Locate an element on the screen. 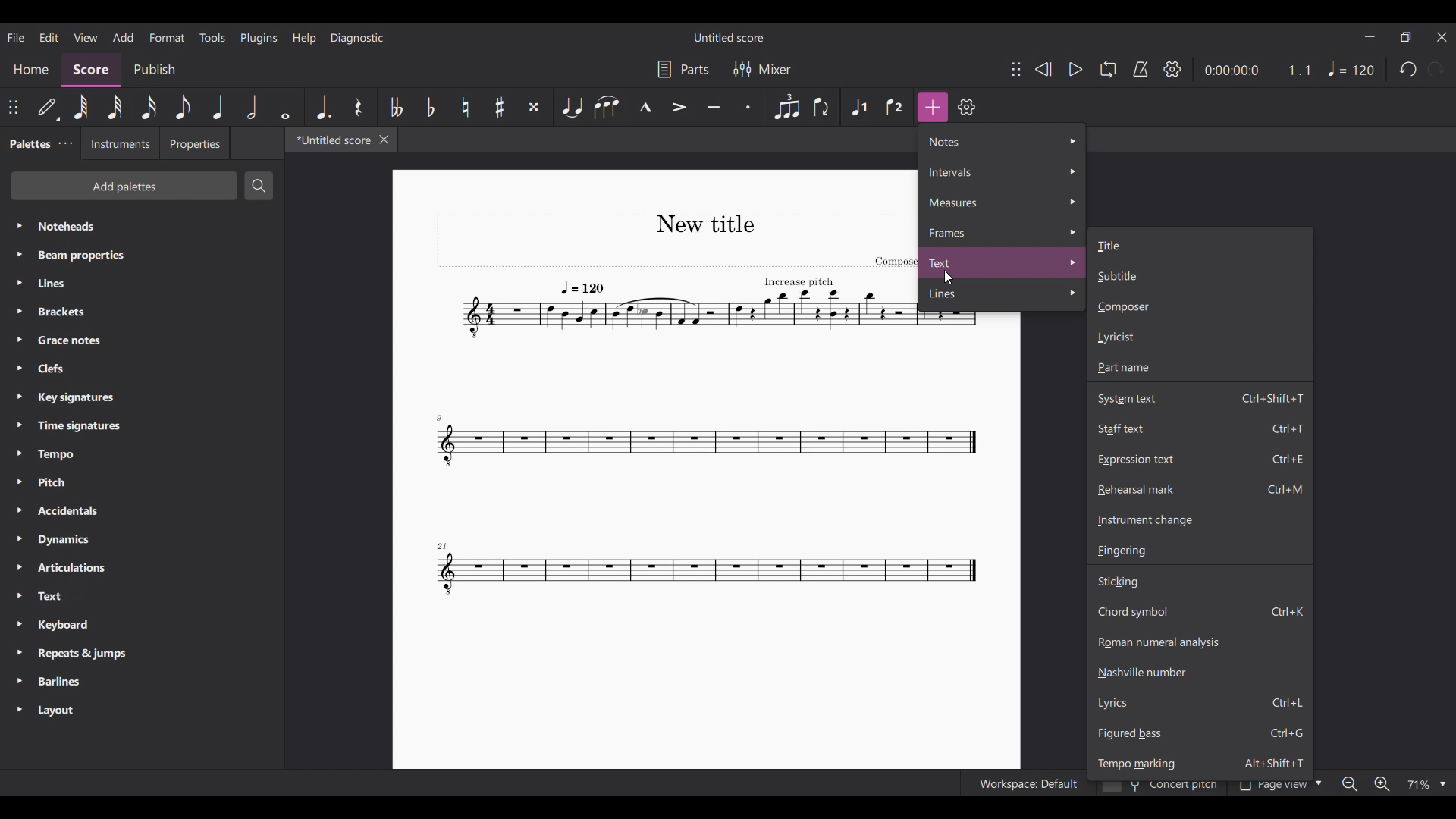 The height and width of the screenshot is (819, 1456). Zoom options is located at coordinates (1426, 783).